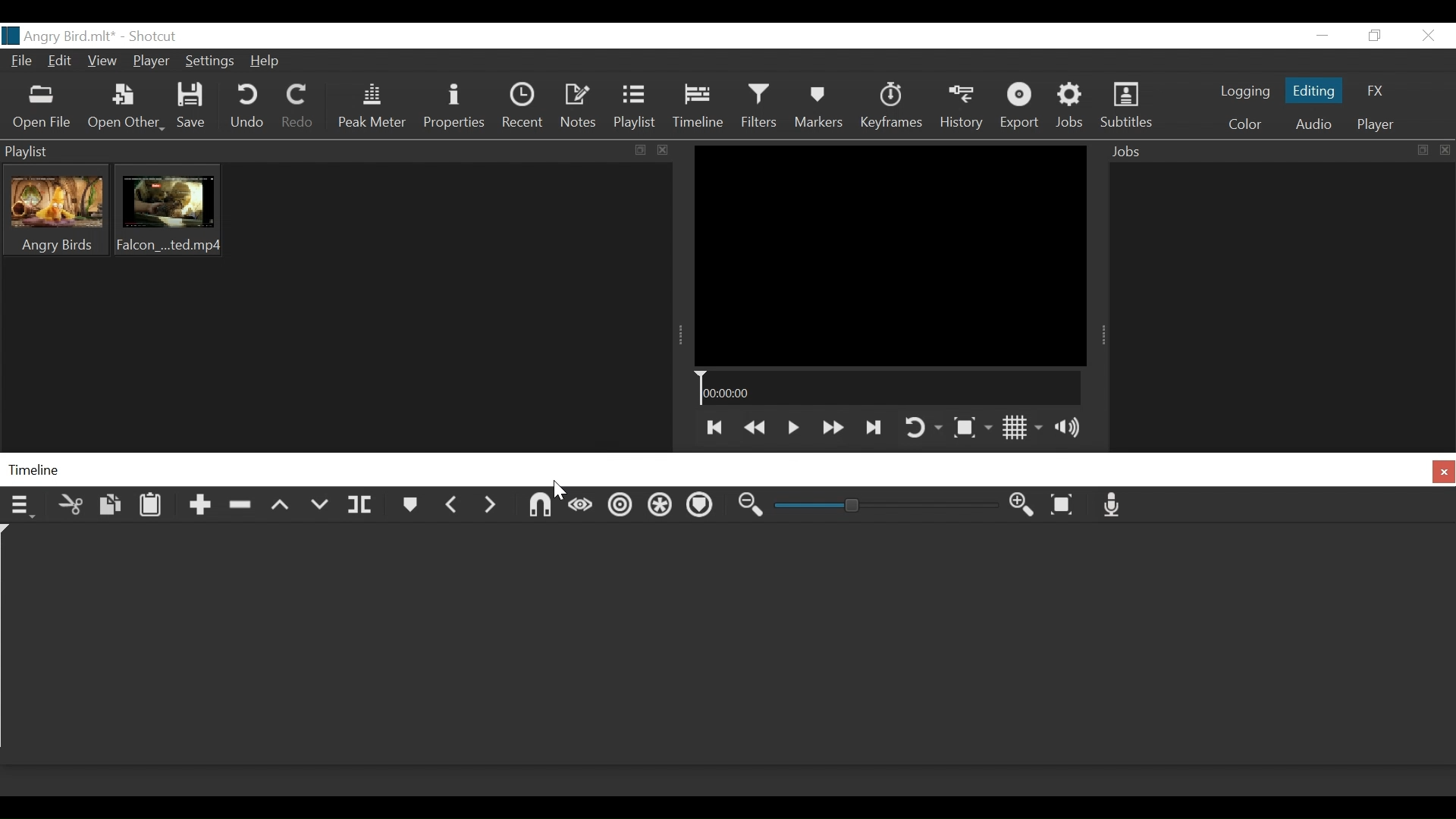 This screenshot has height=819, width=1456. What do you see at coordinates (247, 108) in the screenshot?
I see `Undo` at bounding box center [247, 108].